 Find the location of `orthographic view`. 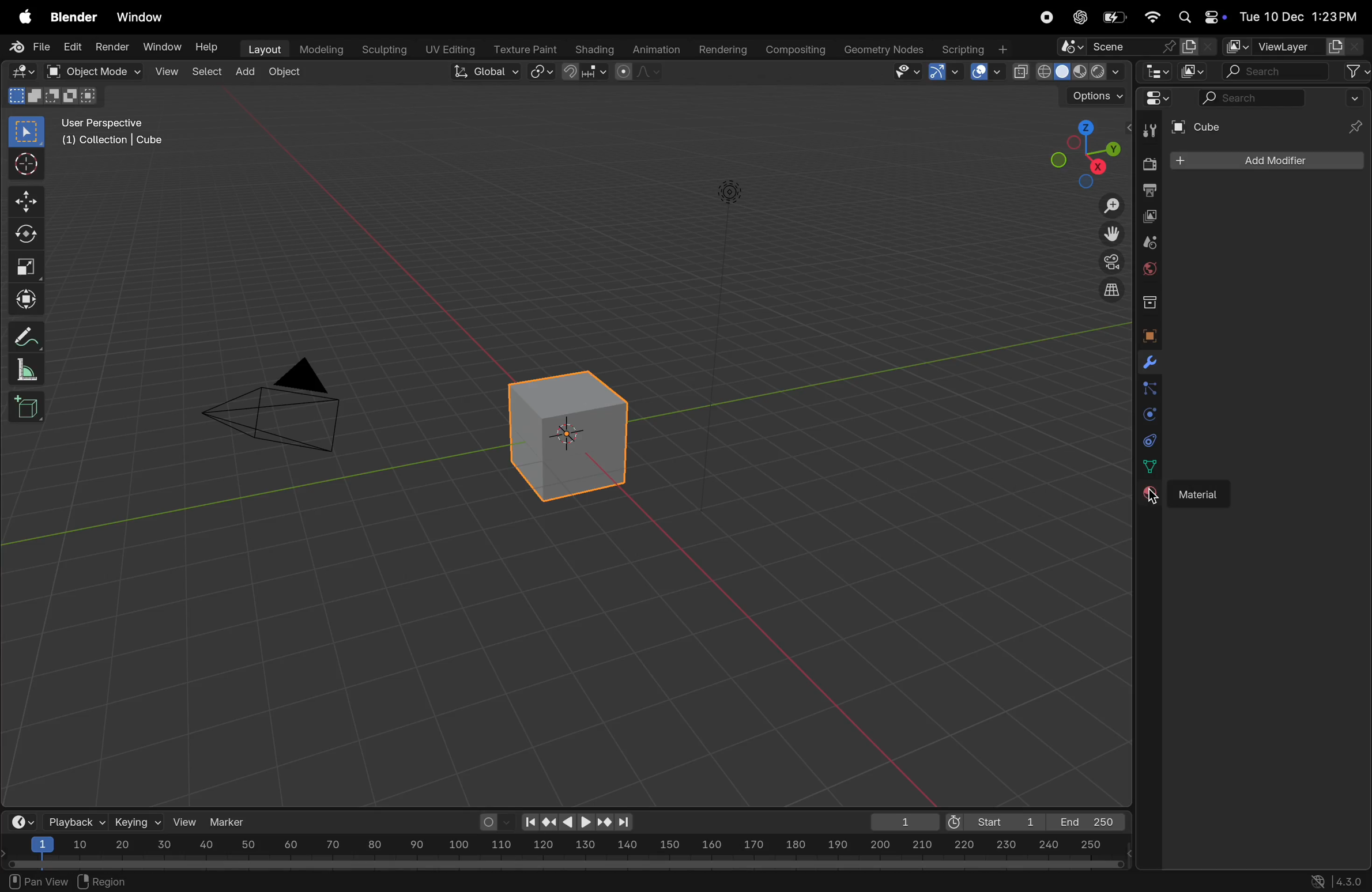

orthographic view is located at coordinates (1113, 289).